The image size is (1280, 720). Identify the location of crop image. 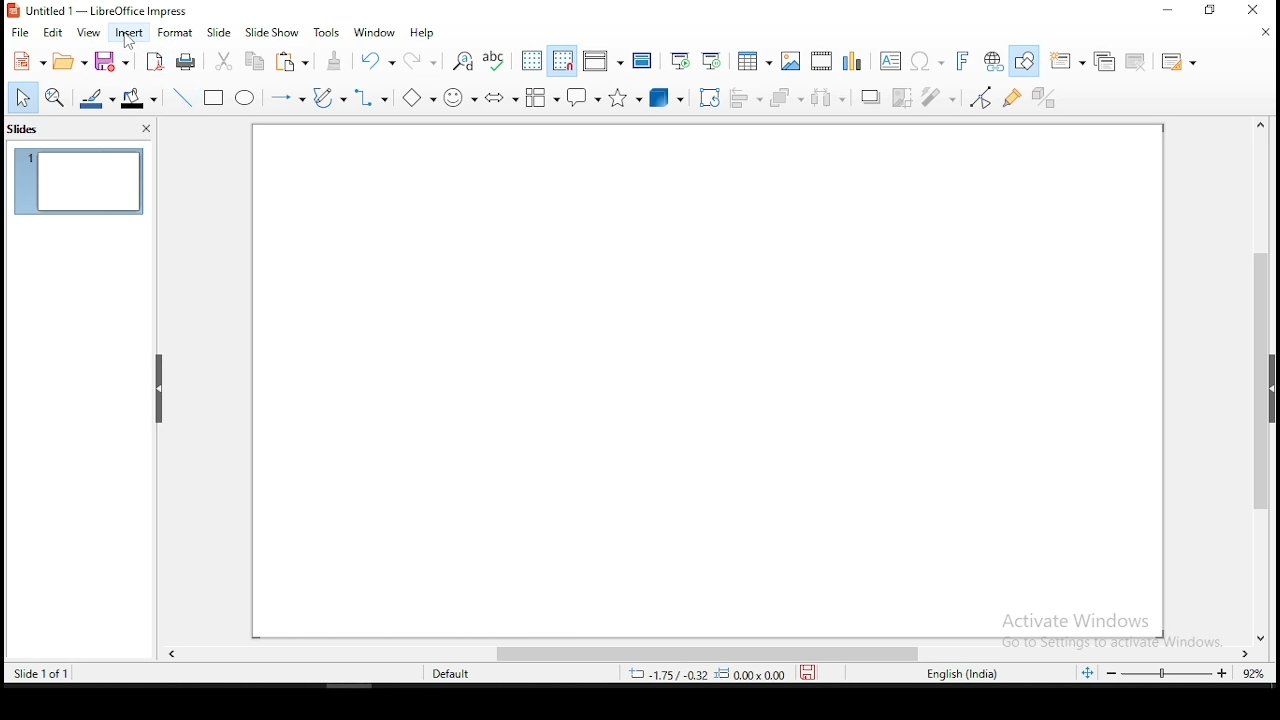
(943, 97).